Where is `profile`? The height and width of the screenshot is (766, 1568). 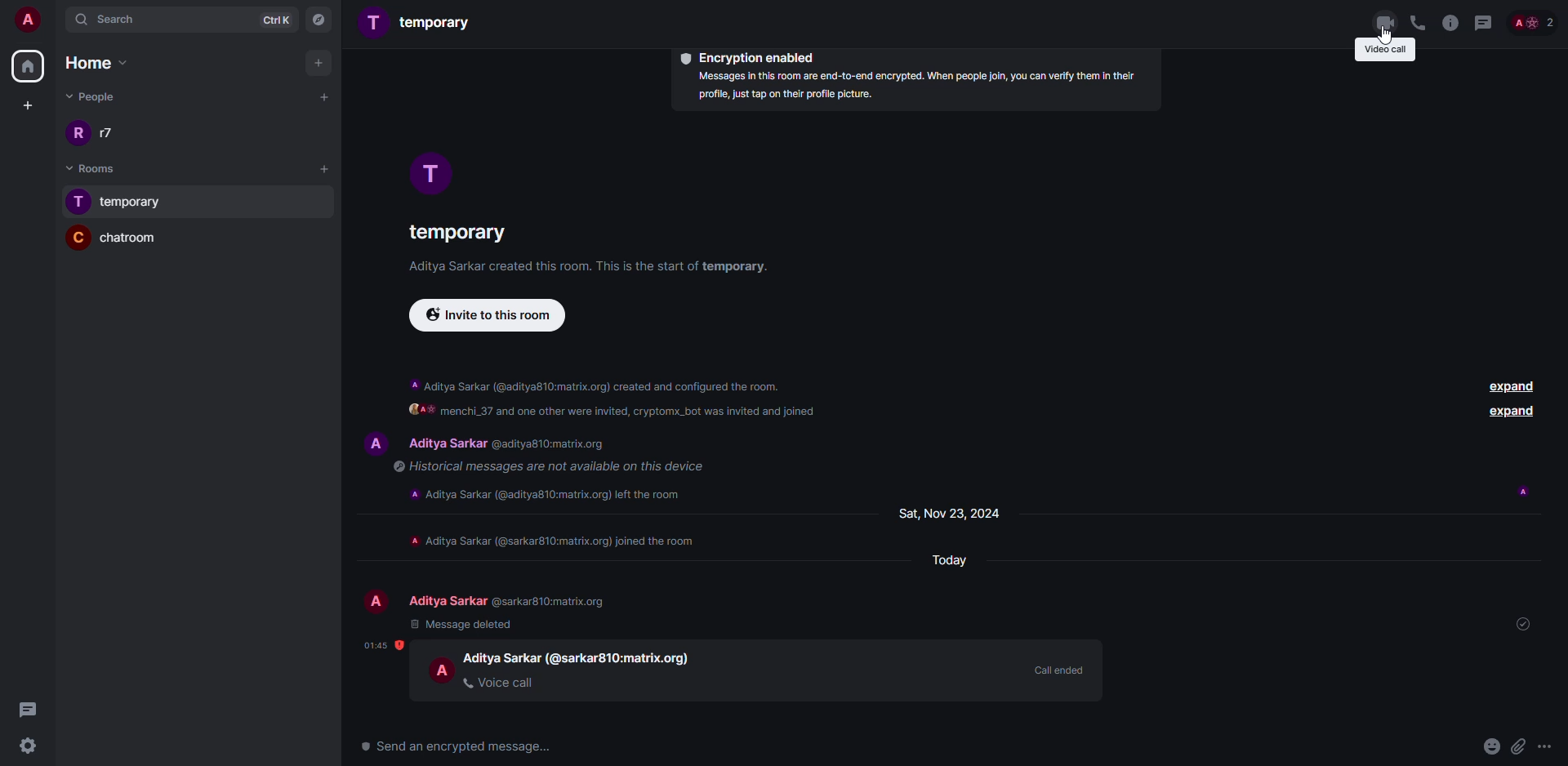
profile is located at coordinates (76, 238).